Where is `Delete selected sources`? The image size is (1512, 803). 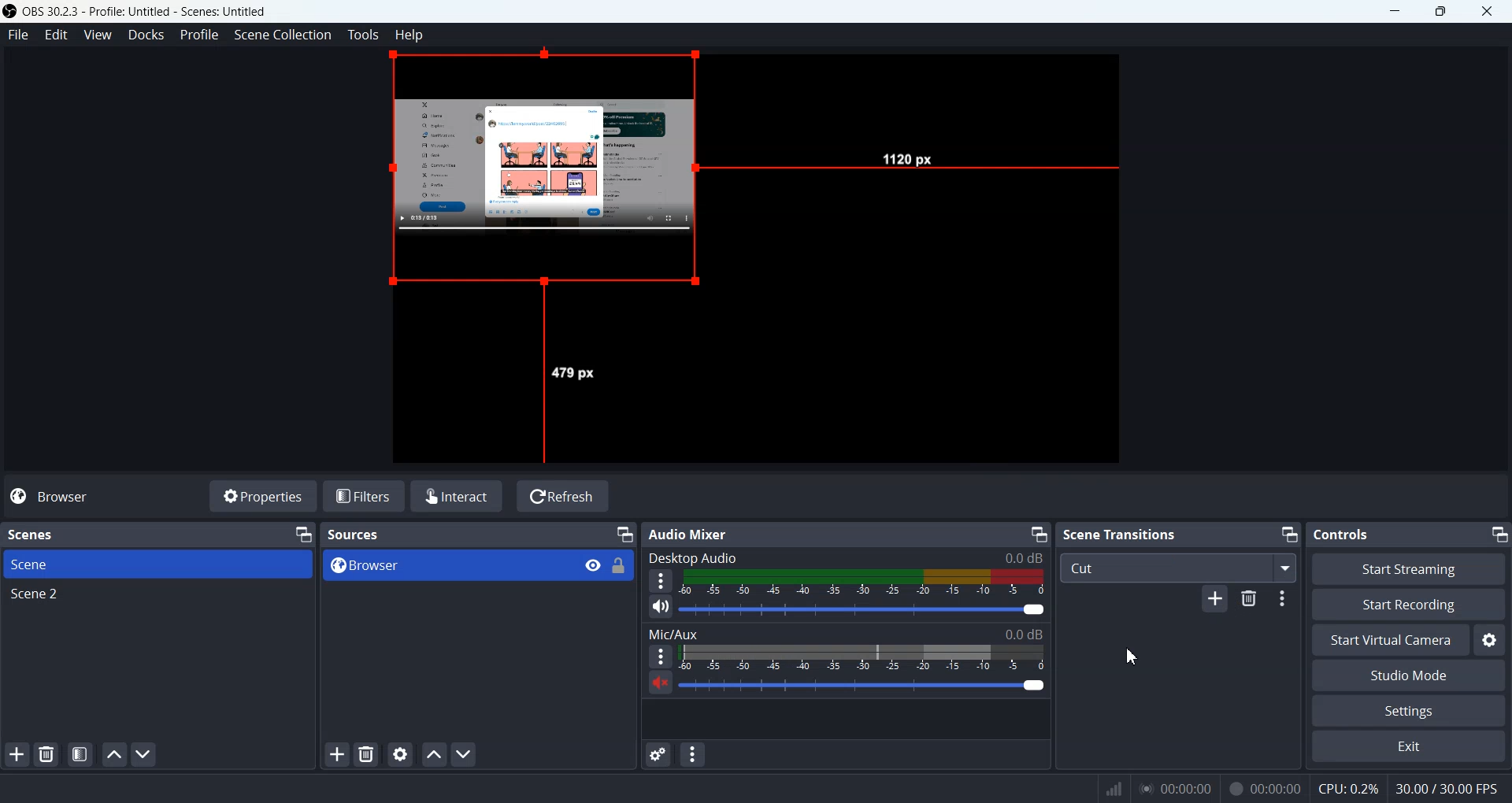 Delete selected sources is located at coordinates (365, 753).